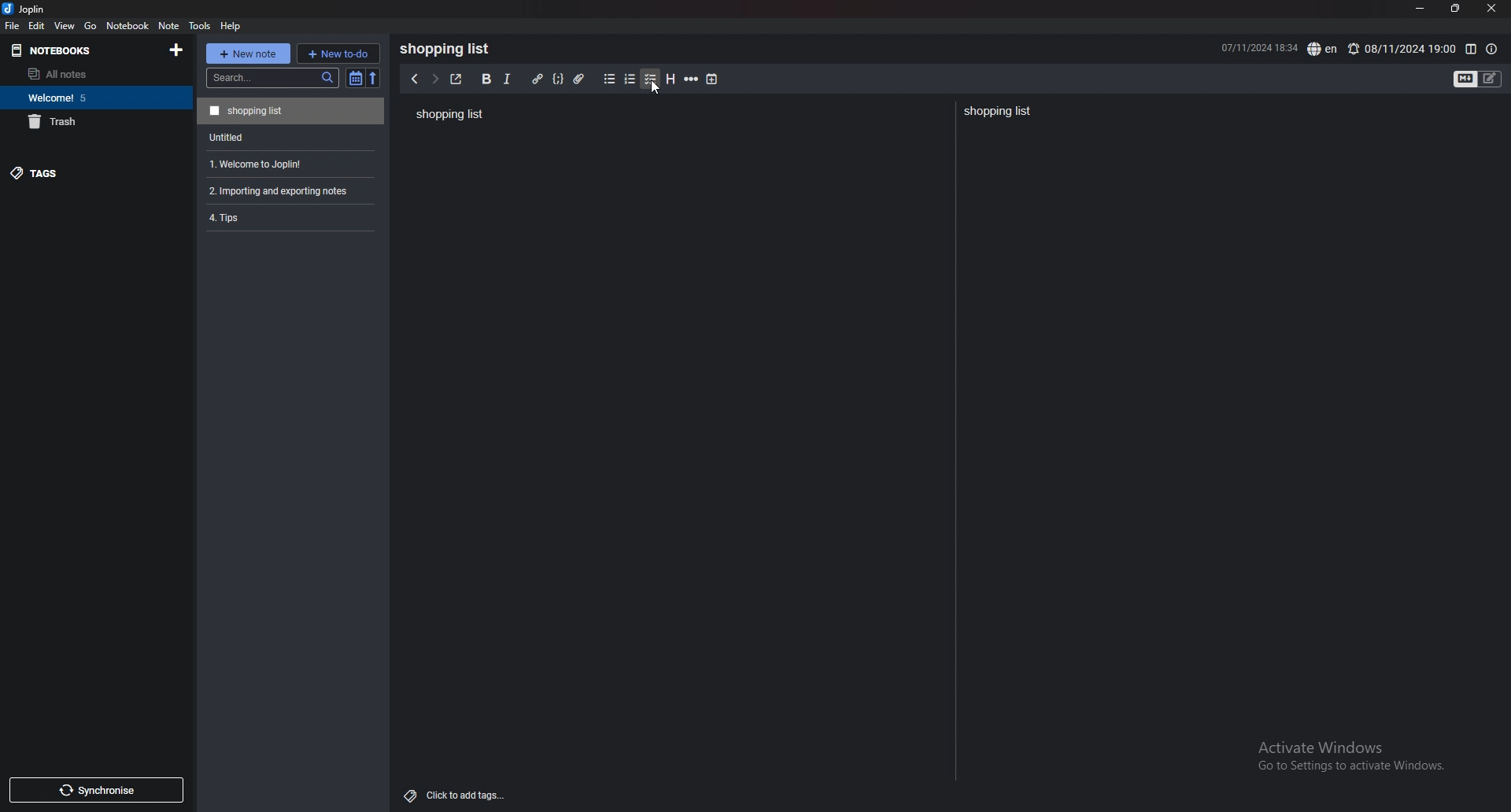  What do you see at coordinates (486, 79) in the screenshot?
I see `bold` at bounding box center [486, 79].